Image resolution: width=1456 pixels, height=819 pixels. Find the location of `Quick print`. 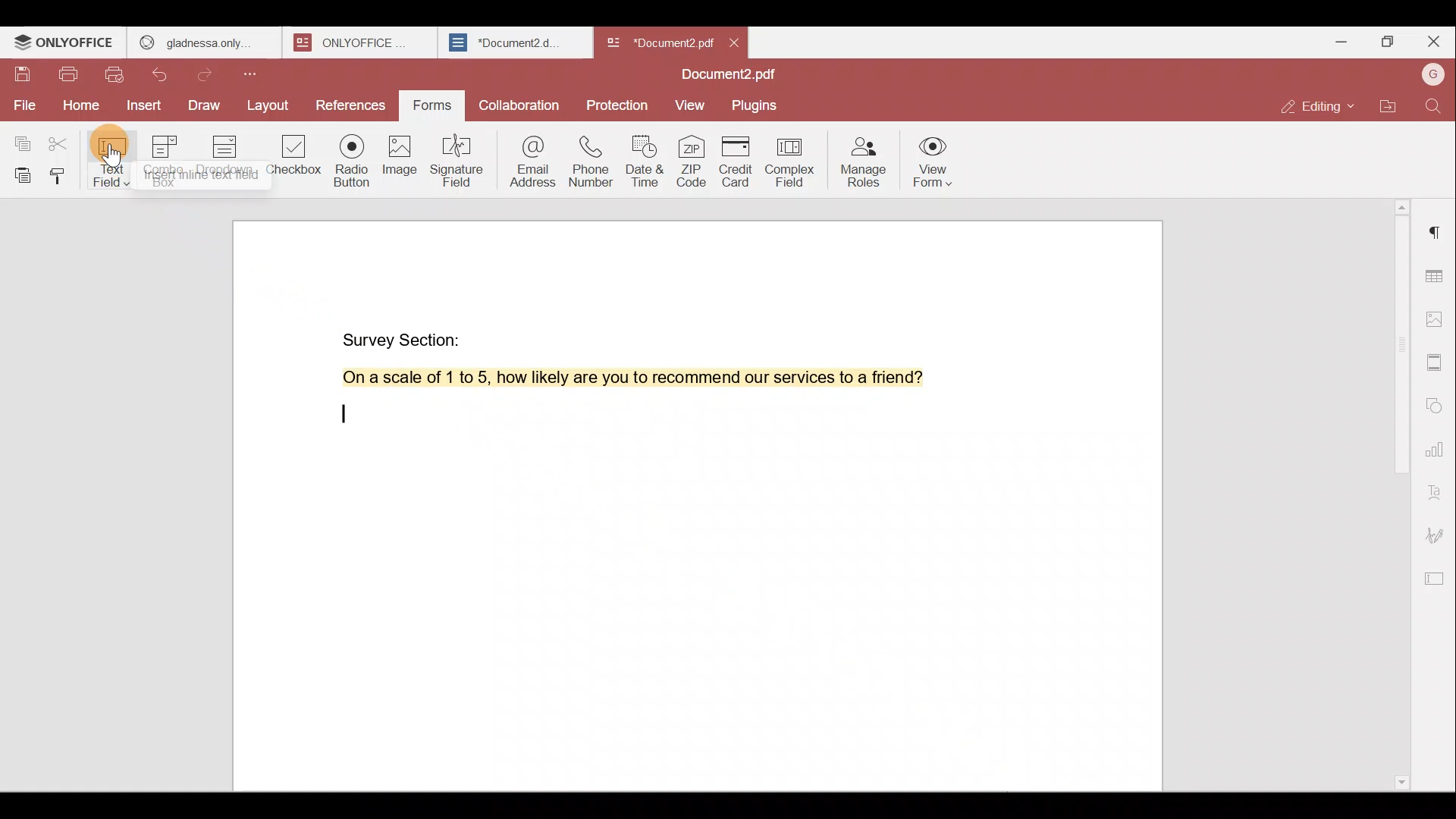

Quick print is located at coordinates (116, 77).